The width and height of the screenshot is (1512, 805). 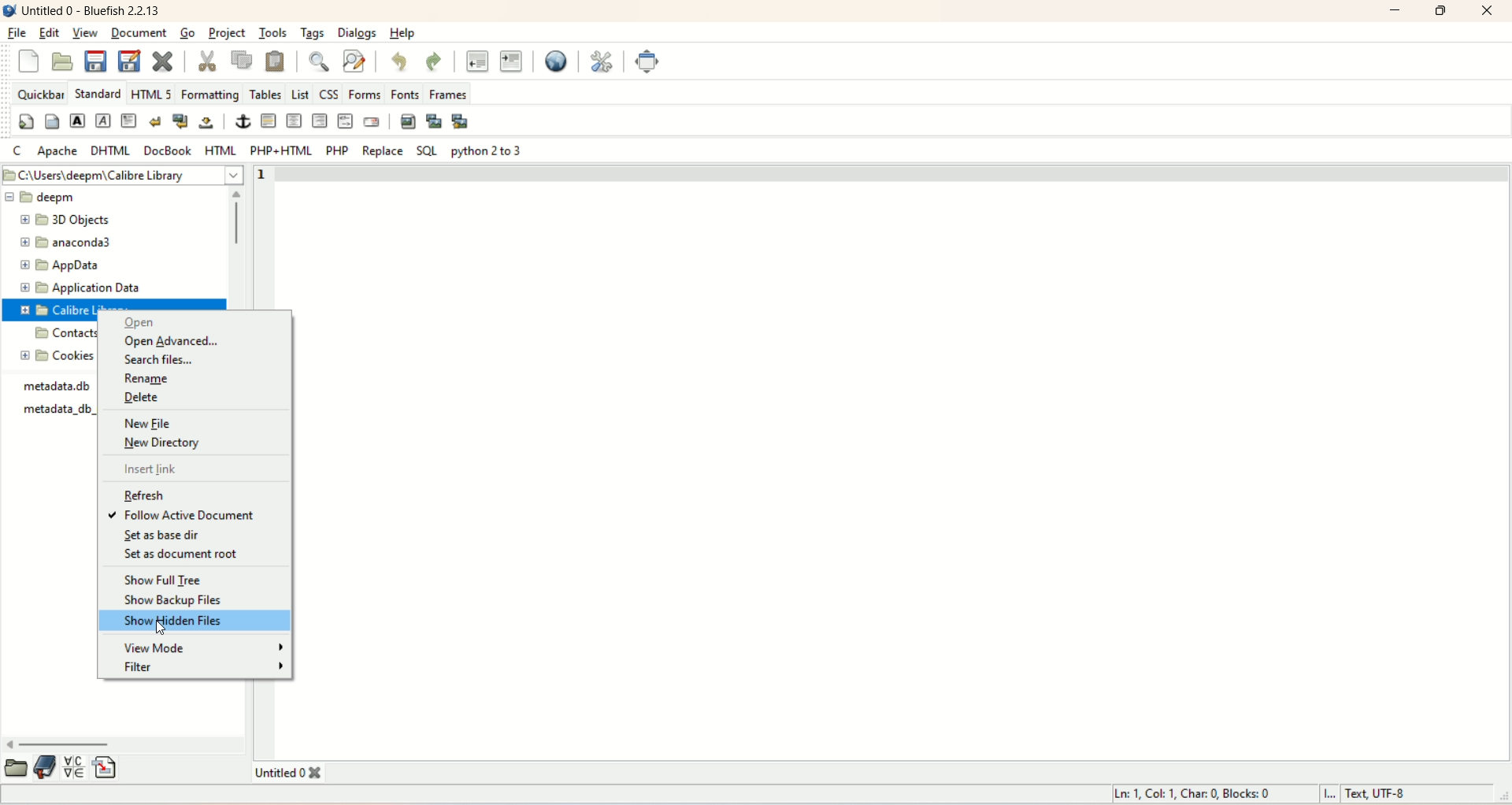 I want to click on app data, so click(x=59, y=264).